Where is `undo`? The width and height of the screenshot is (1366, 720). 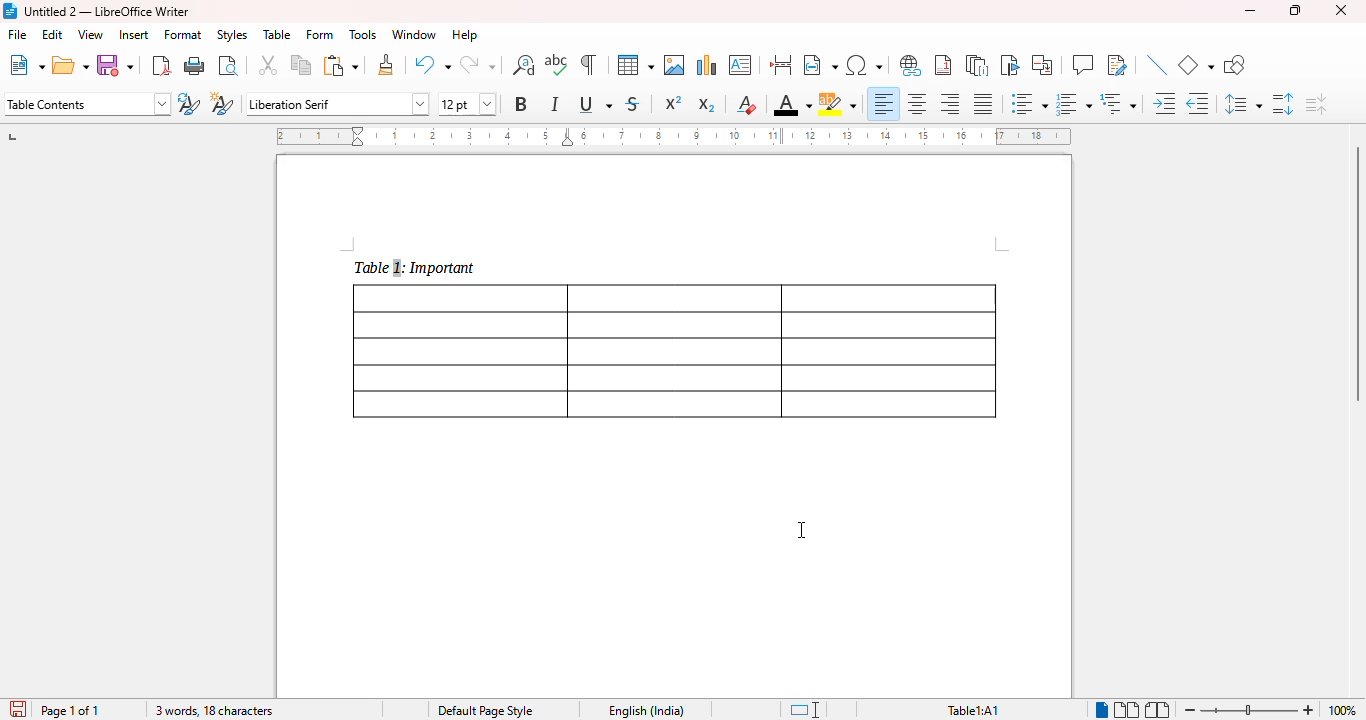 undo is located at coordinates (432, 64).